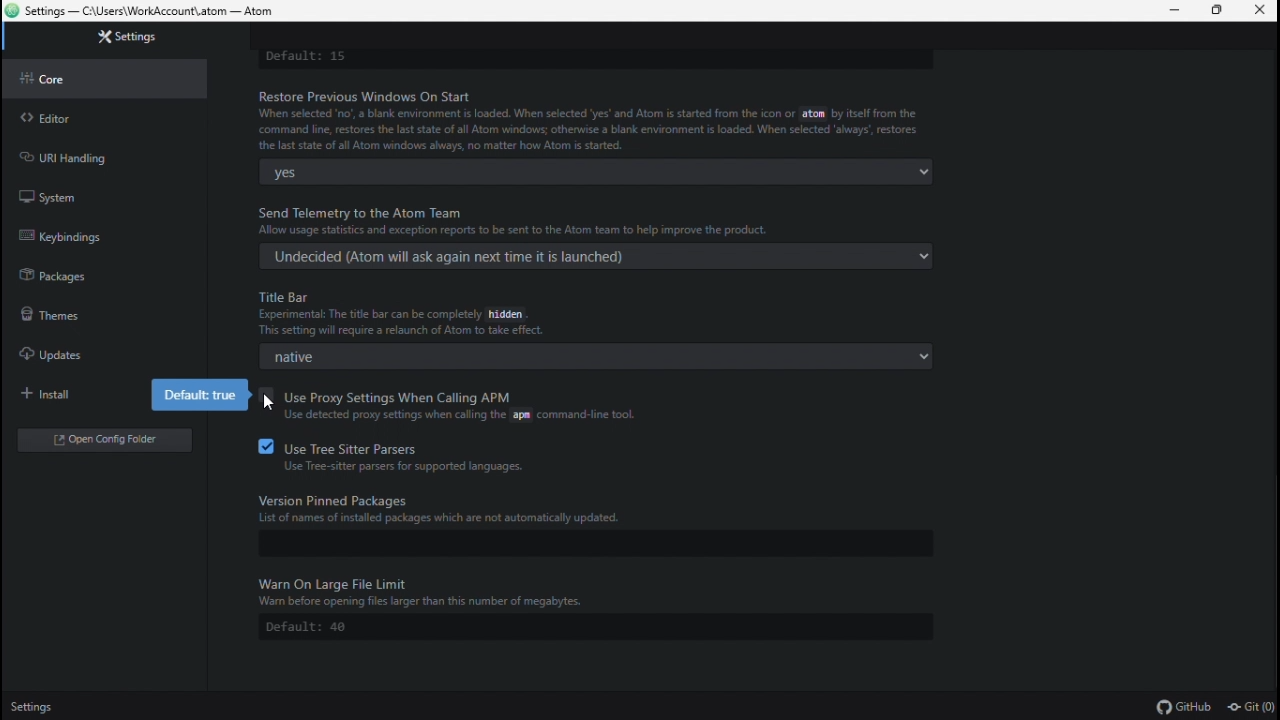 The width and height of the screenshot is (1280, 720). Describe the element at coordinates (94, 357) in the screenshot. I see `updates` at that location.